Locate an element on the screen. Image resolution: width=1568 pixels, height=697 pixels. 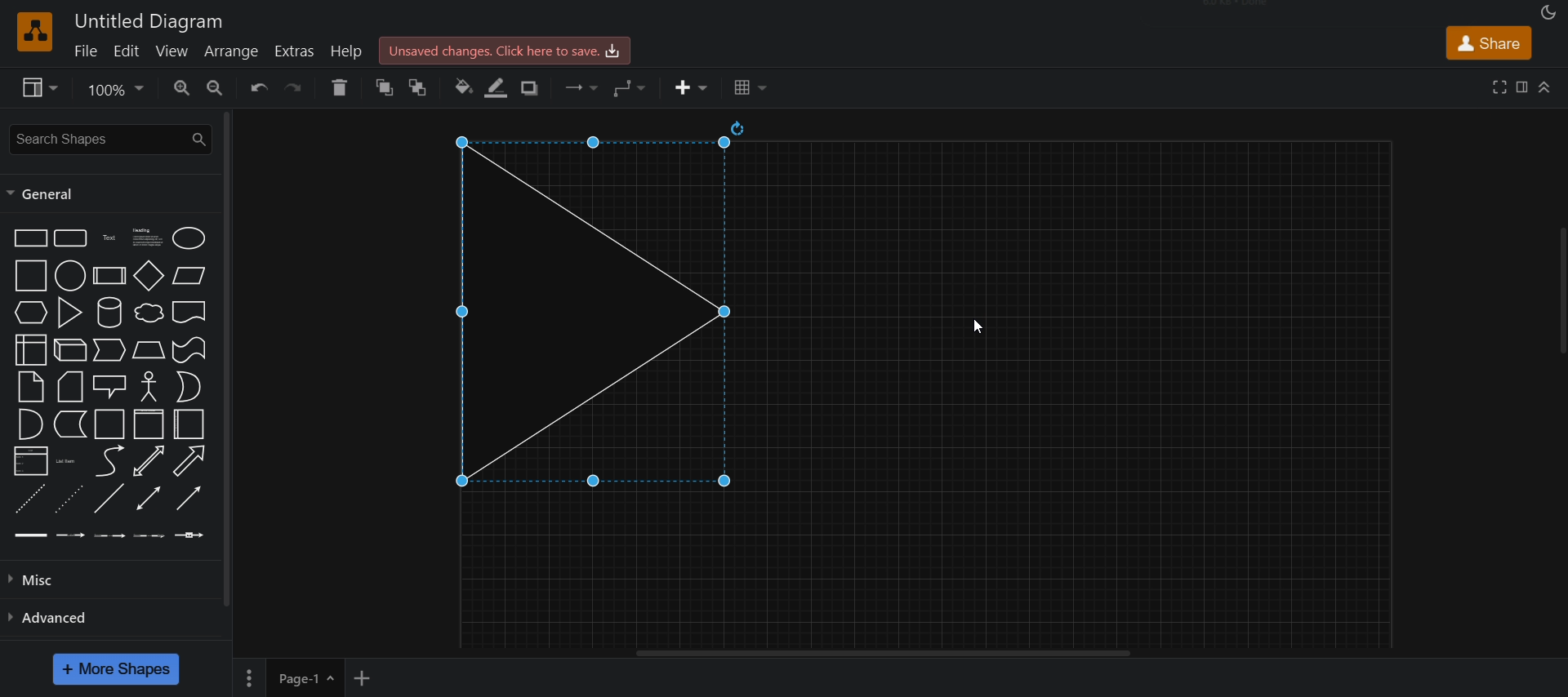
hexagon is located at coordinates (29, 313).